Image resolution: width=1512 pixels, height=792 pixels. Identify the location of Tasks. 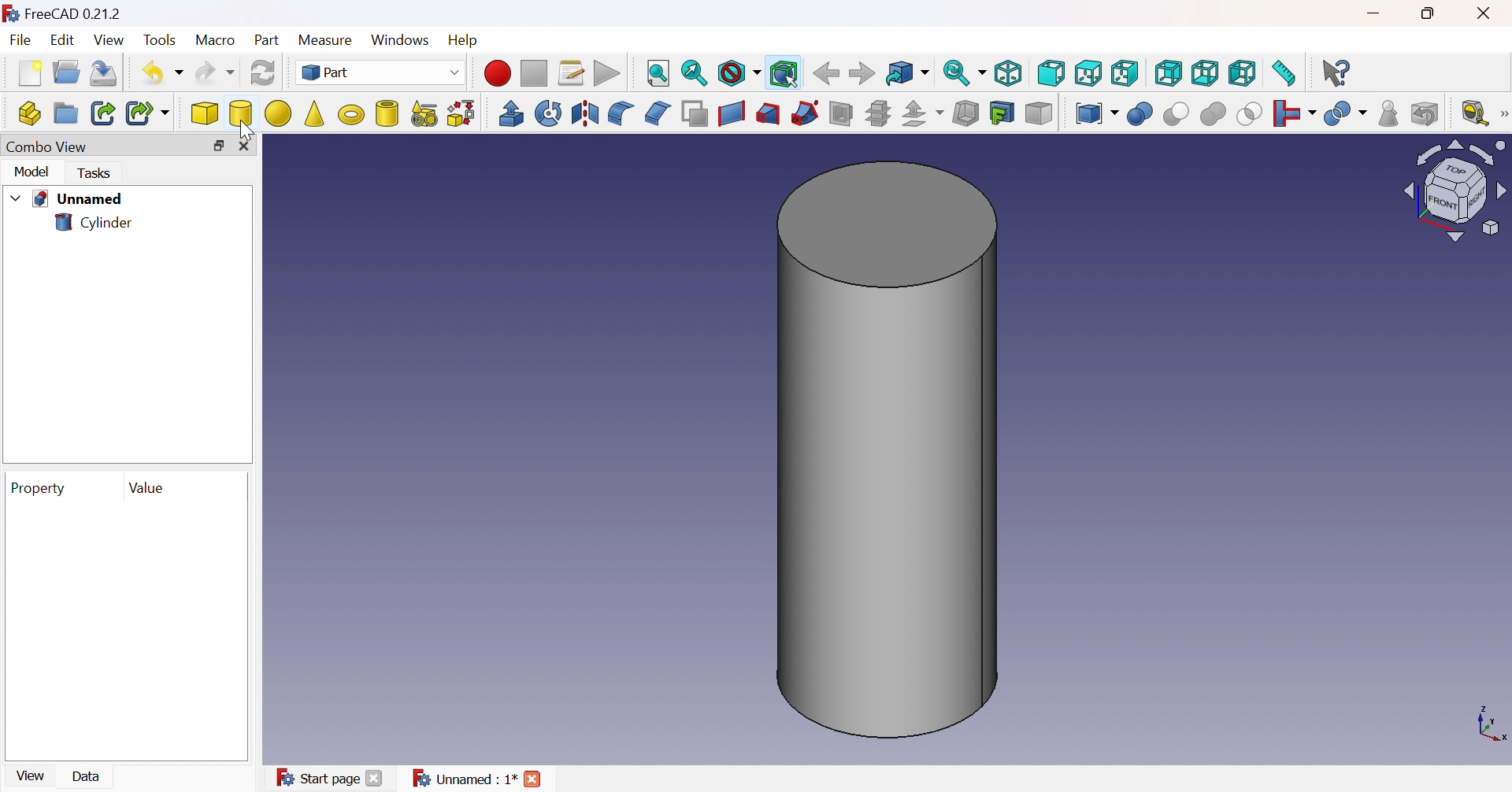
(97, 173).